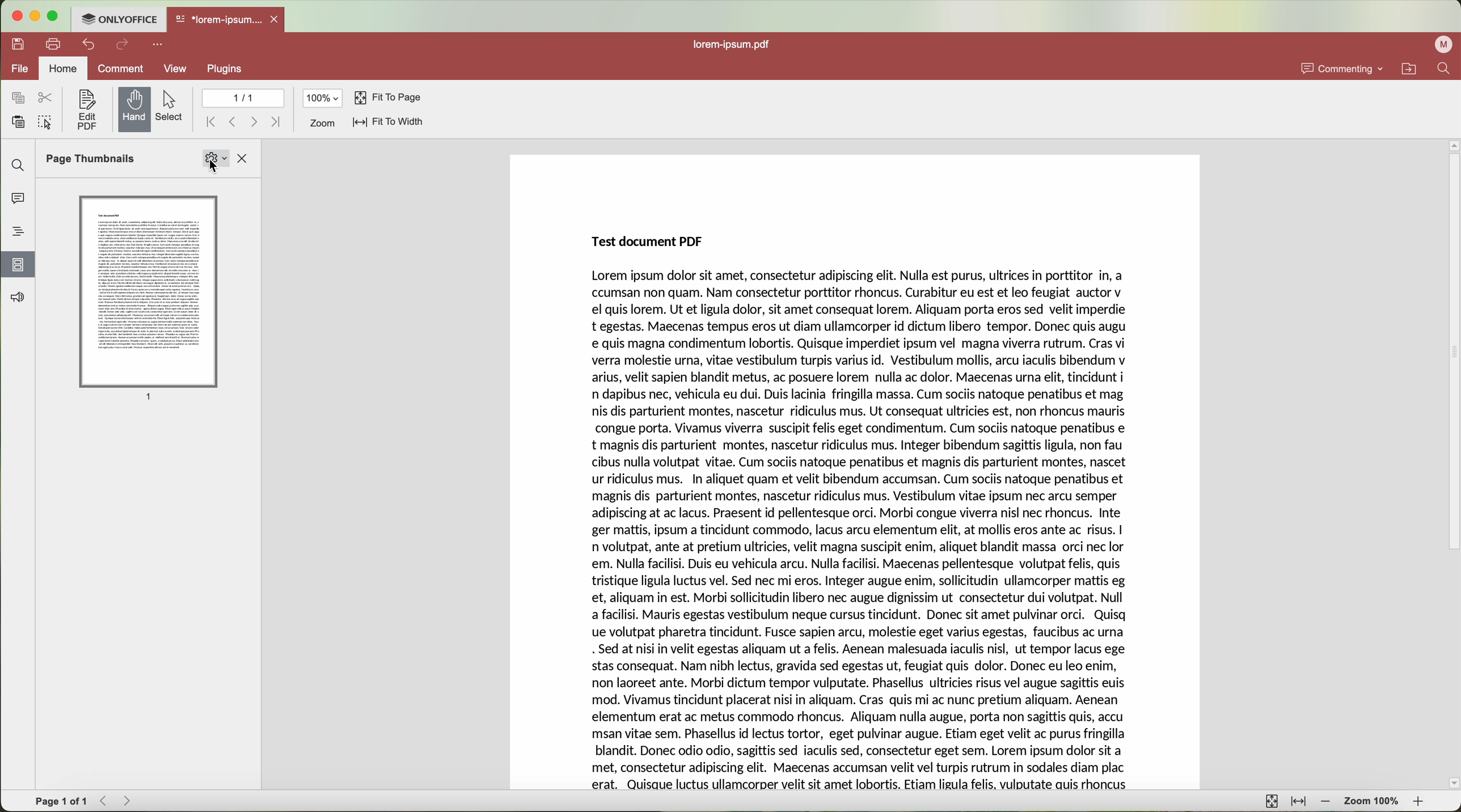 Image resolution: width=1461 pixels, height=812 pixels. Describe the element at coordinates (123, 46) in the screenshot. I see `redo` at that location.